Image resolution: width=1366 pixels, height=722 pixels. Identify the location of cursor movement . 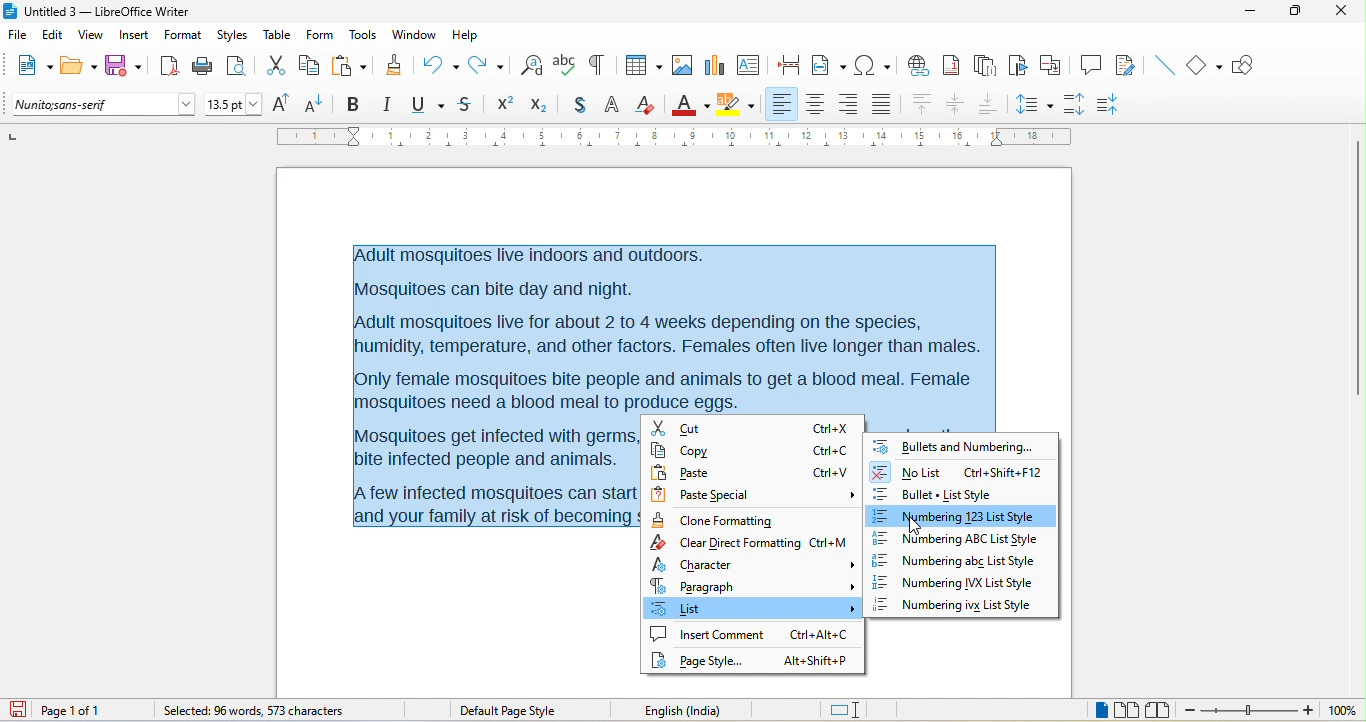
(918, 526).